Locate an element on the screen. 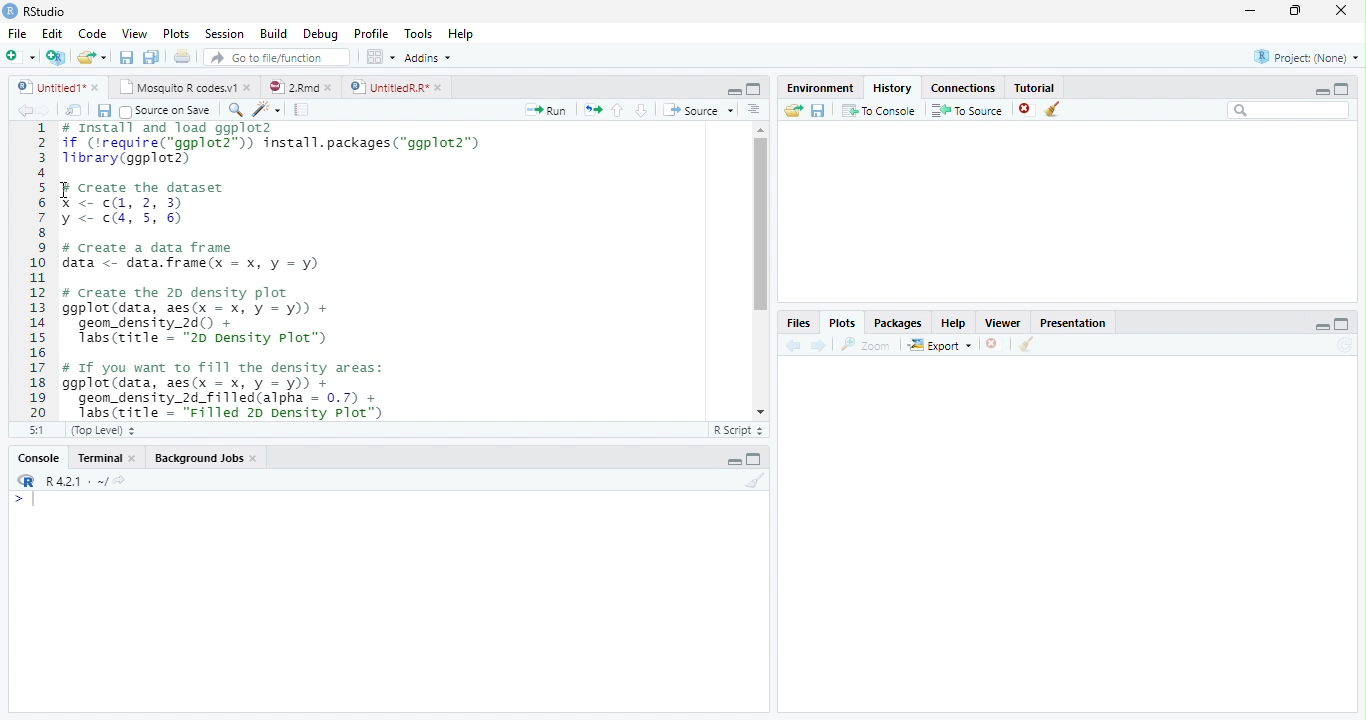 This screenshot has width=1366, height=720. To source is located at coordinates (968, 111).